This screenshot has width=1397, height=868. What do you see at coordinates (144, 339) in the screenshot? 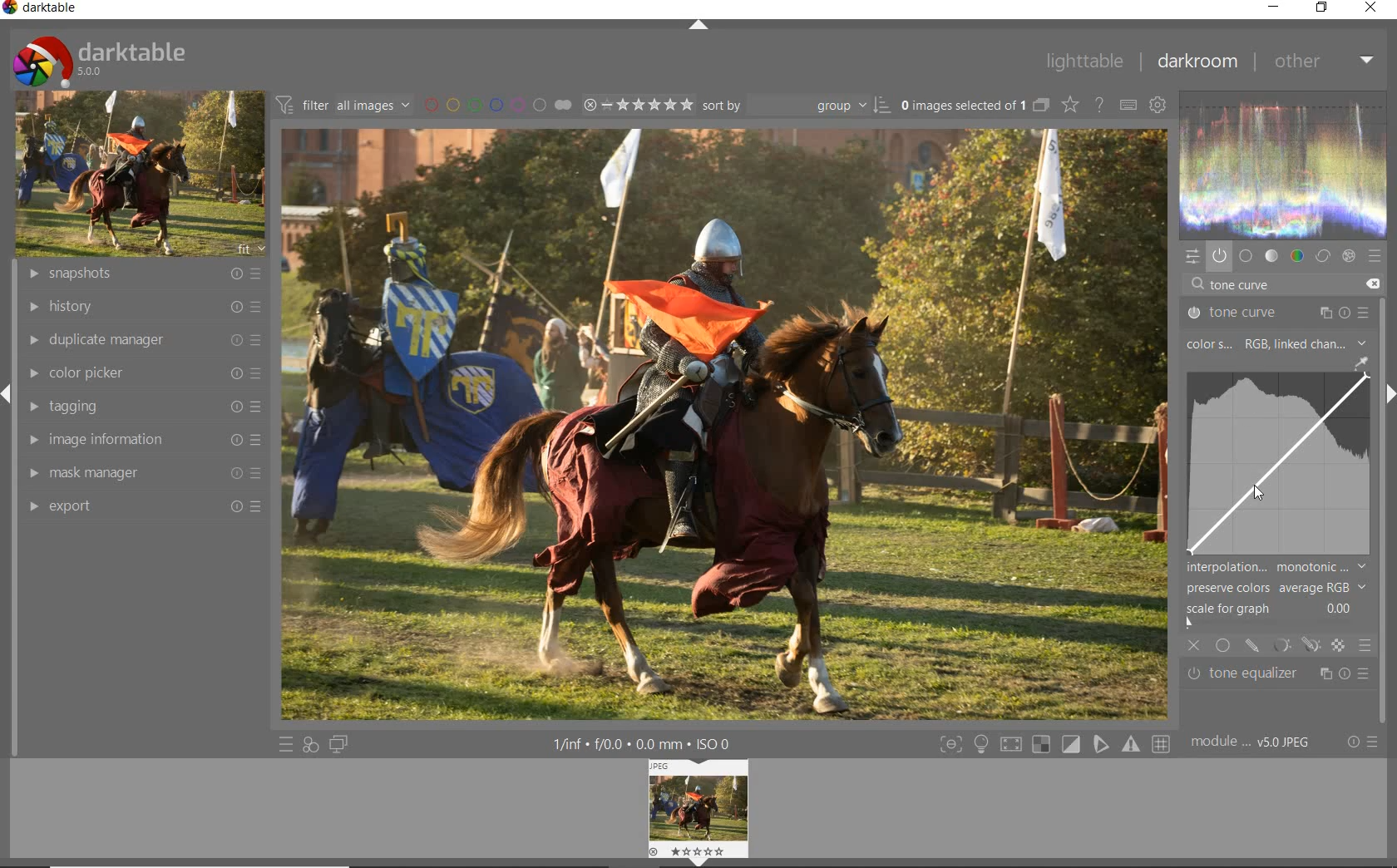
I see `duplicate manager` at bounding box center [144, 339].